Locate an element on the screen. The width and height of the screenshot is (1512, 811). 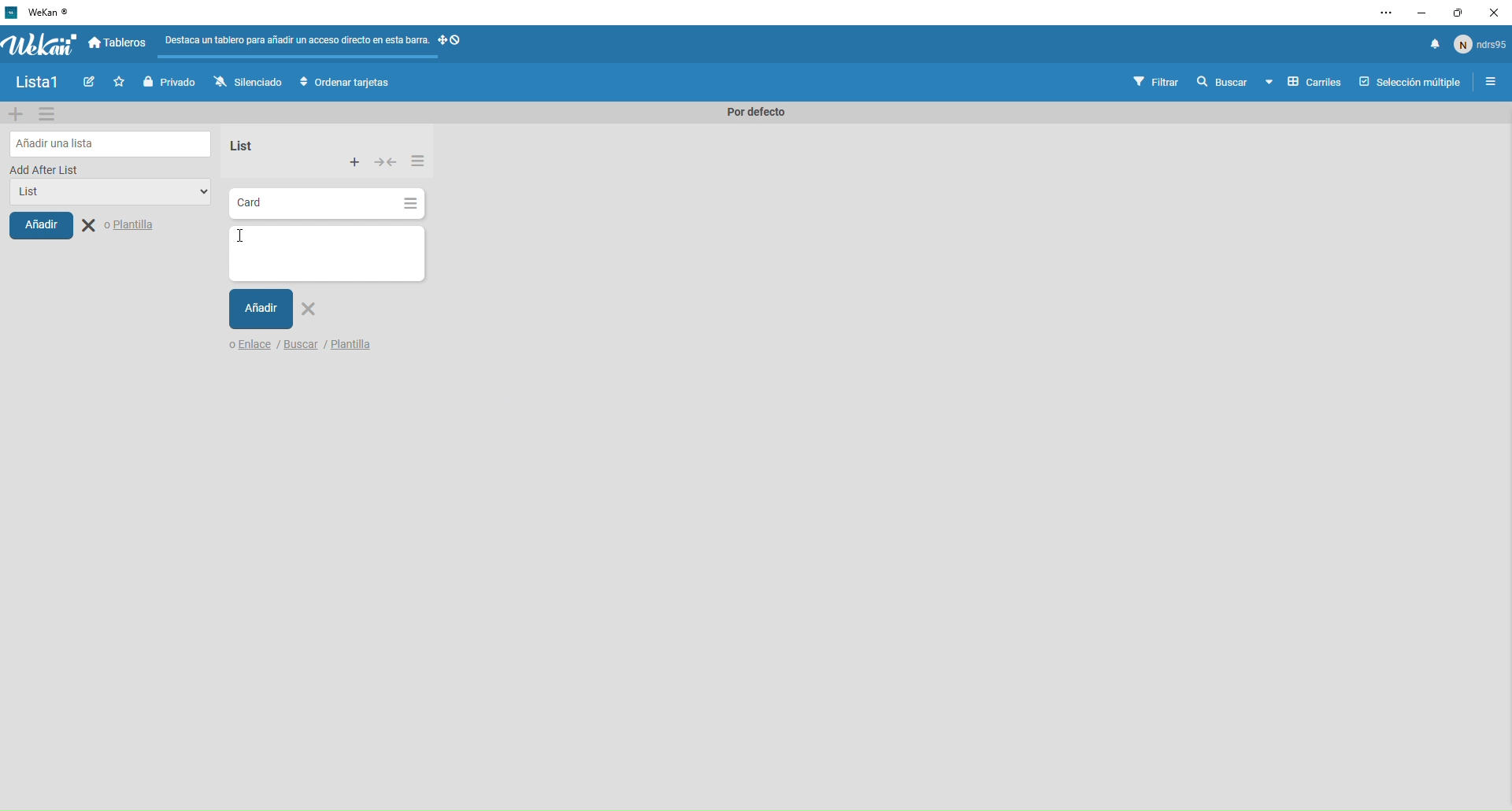
Find is located at coordinates (1221, 82).